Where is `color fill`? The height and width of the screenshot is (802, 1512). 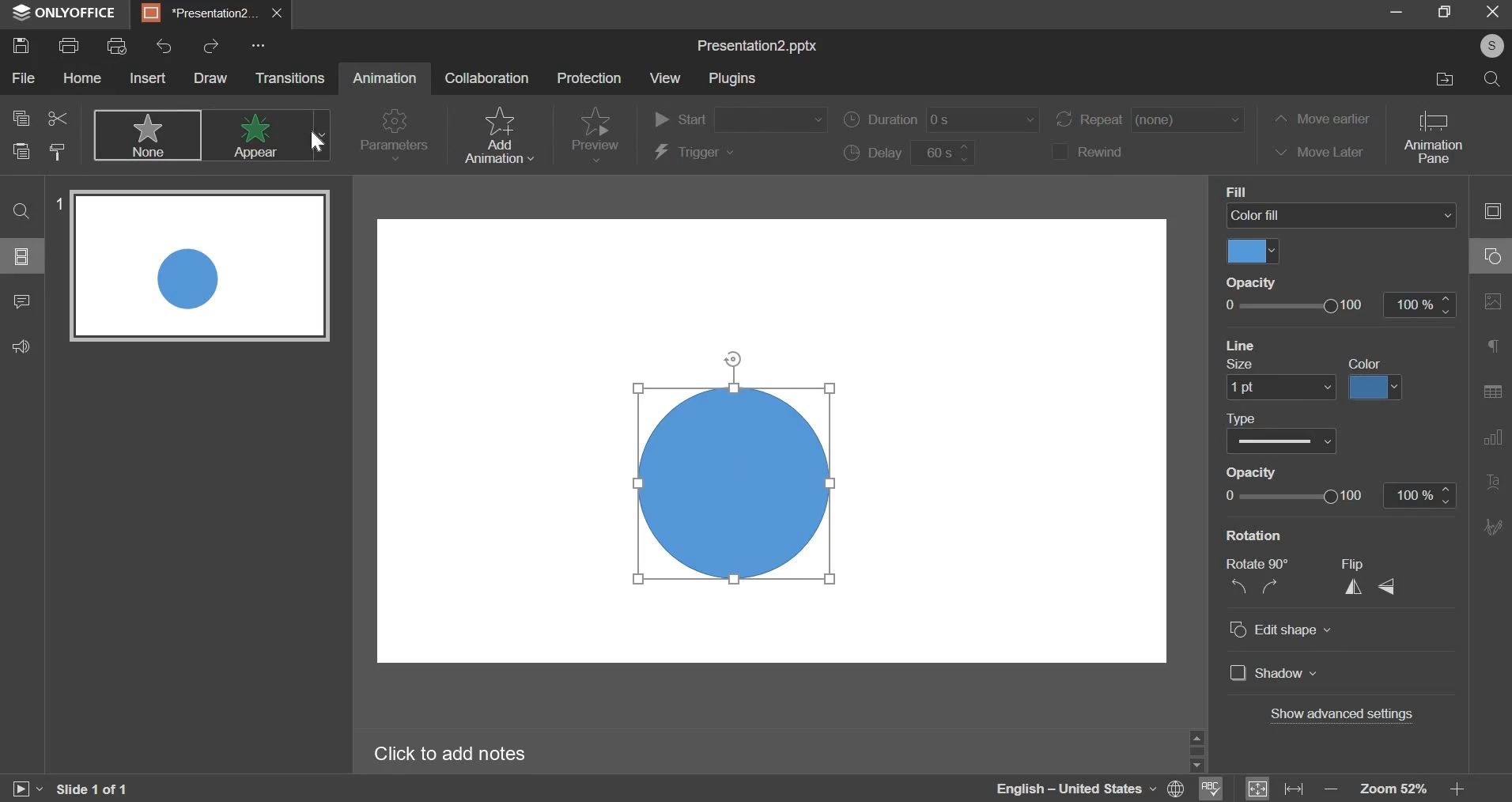 color fill is located at coordinates (1364, 363).